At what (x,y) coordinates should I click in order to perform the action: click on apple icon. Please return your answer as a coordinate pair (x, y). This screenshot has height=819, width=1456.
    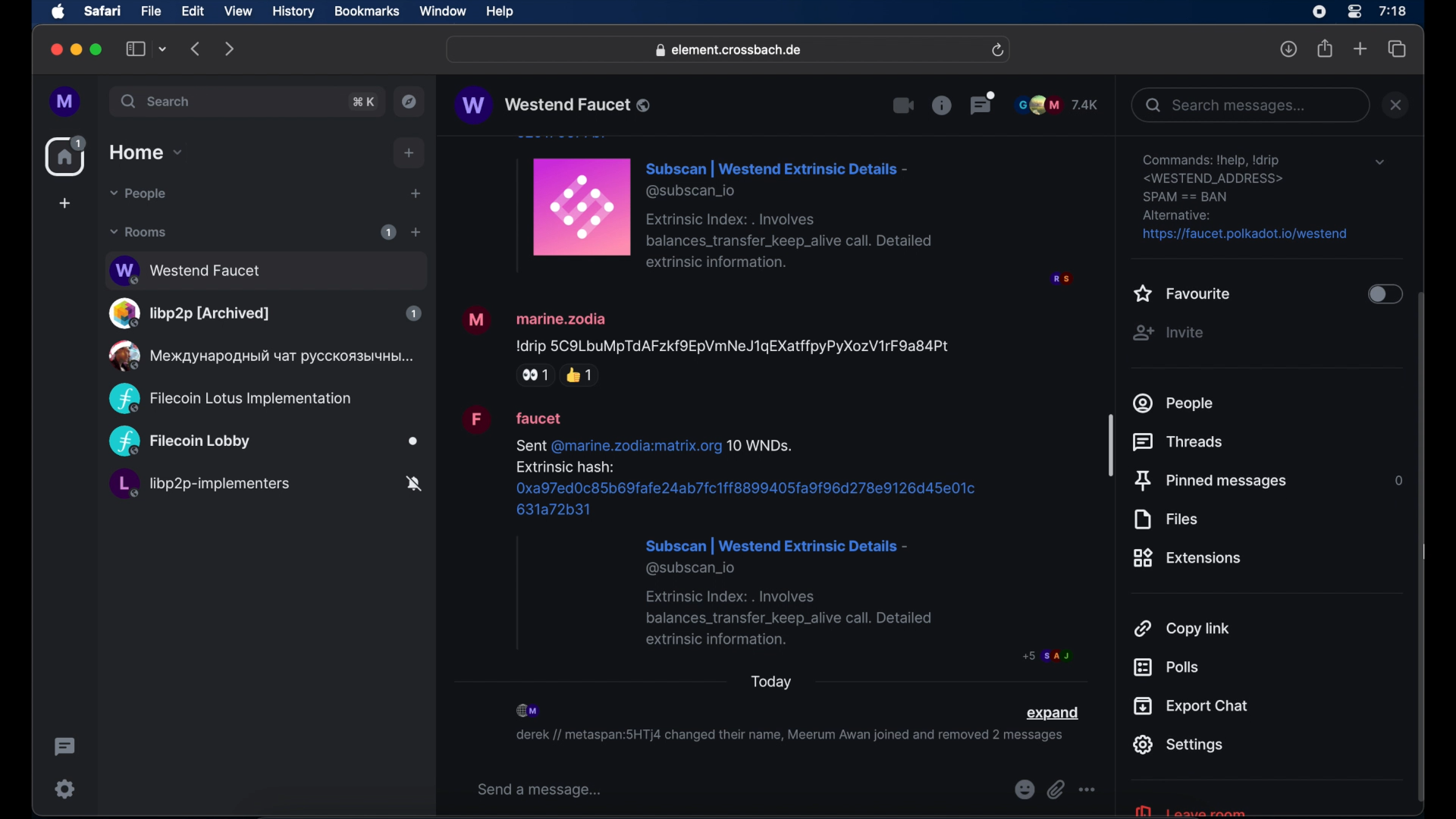
    Looking at the image, I should click on (58, 12).